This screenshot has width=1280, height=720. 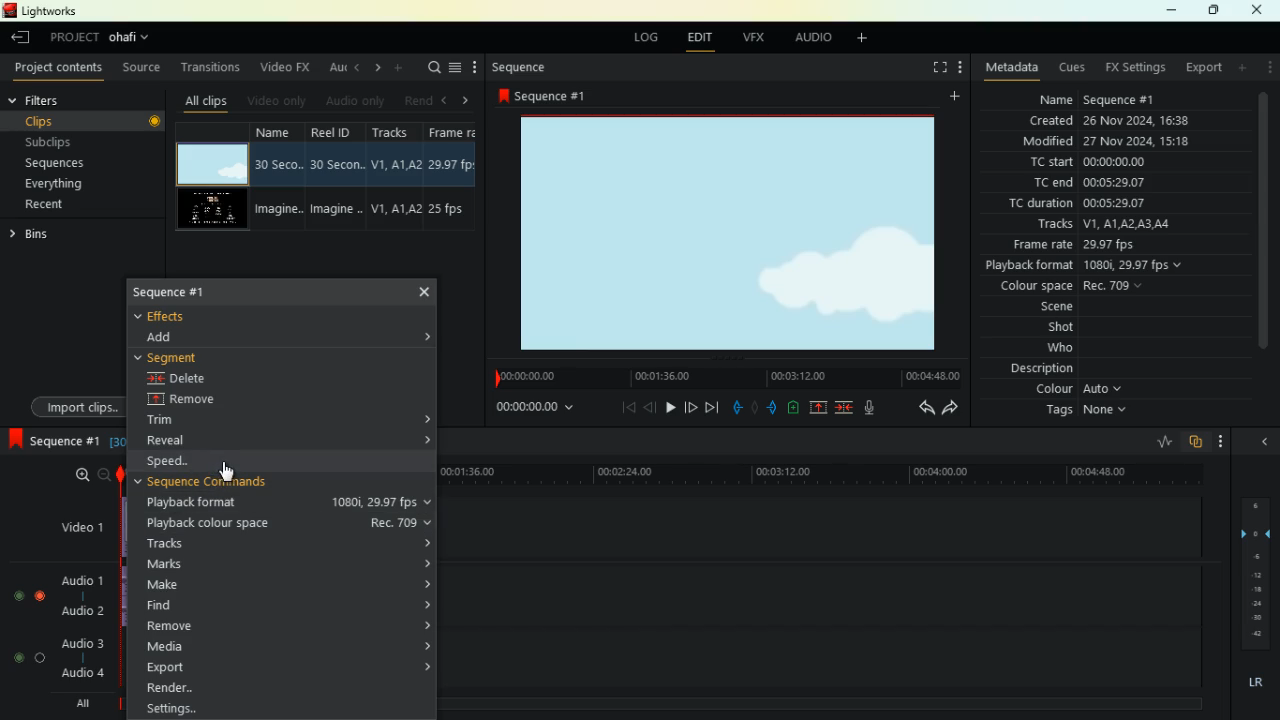 What do you see at coordinates (213, 69) in the screenshot?
I see `transitions` at bounding box center [213, 69].